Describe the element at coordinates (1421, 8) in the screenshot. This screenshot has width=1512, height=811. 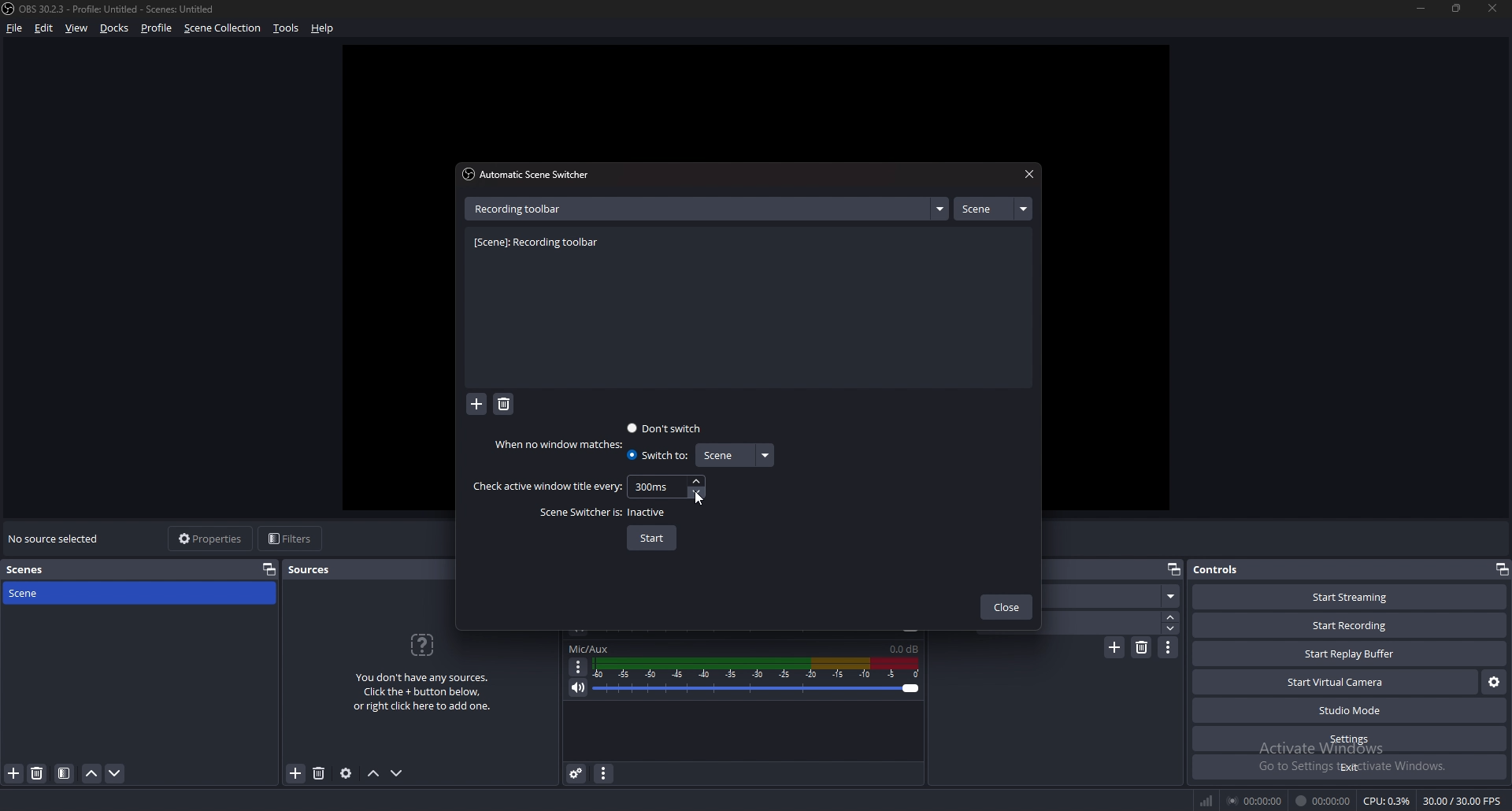
I see `minimize` at that location.